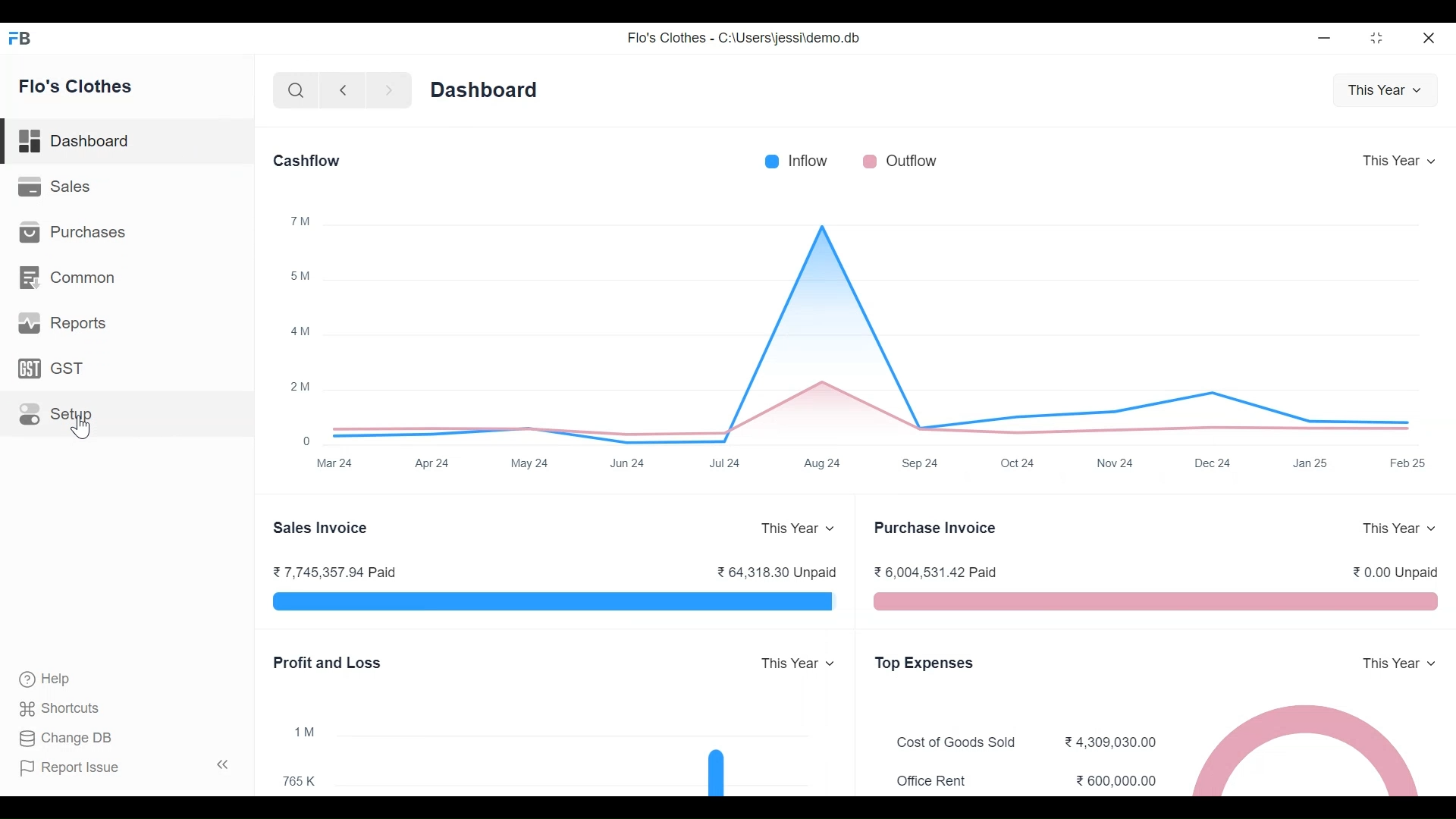  What do you see at coordinates (795, 664) in the screenshot?
I see `This year` at bounding box center [795, 664].